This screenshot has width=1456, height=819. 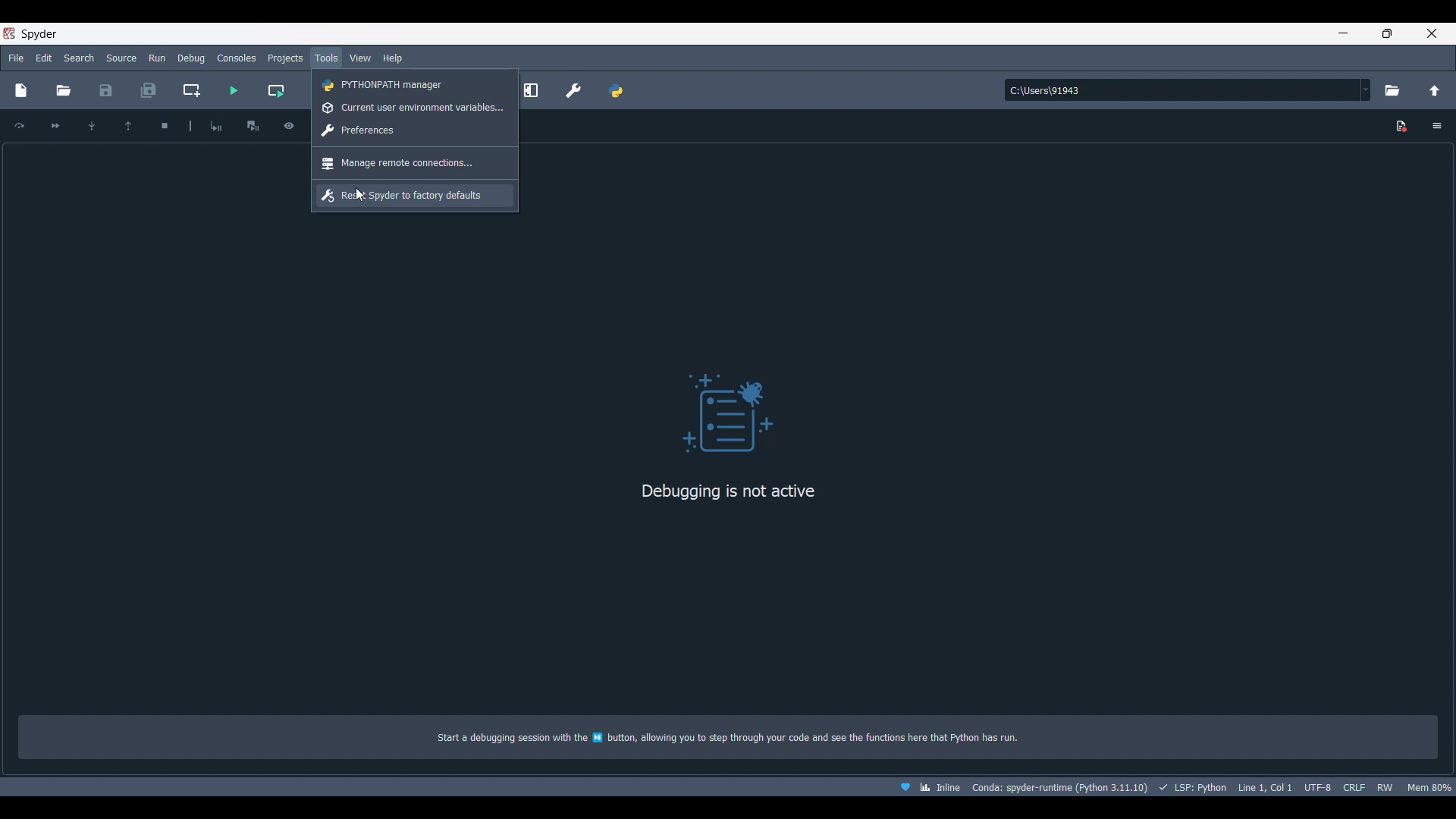 I want to click on Panel logo and description, so click(x=731, y=466).